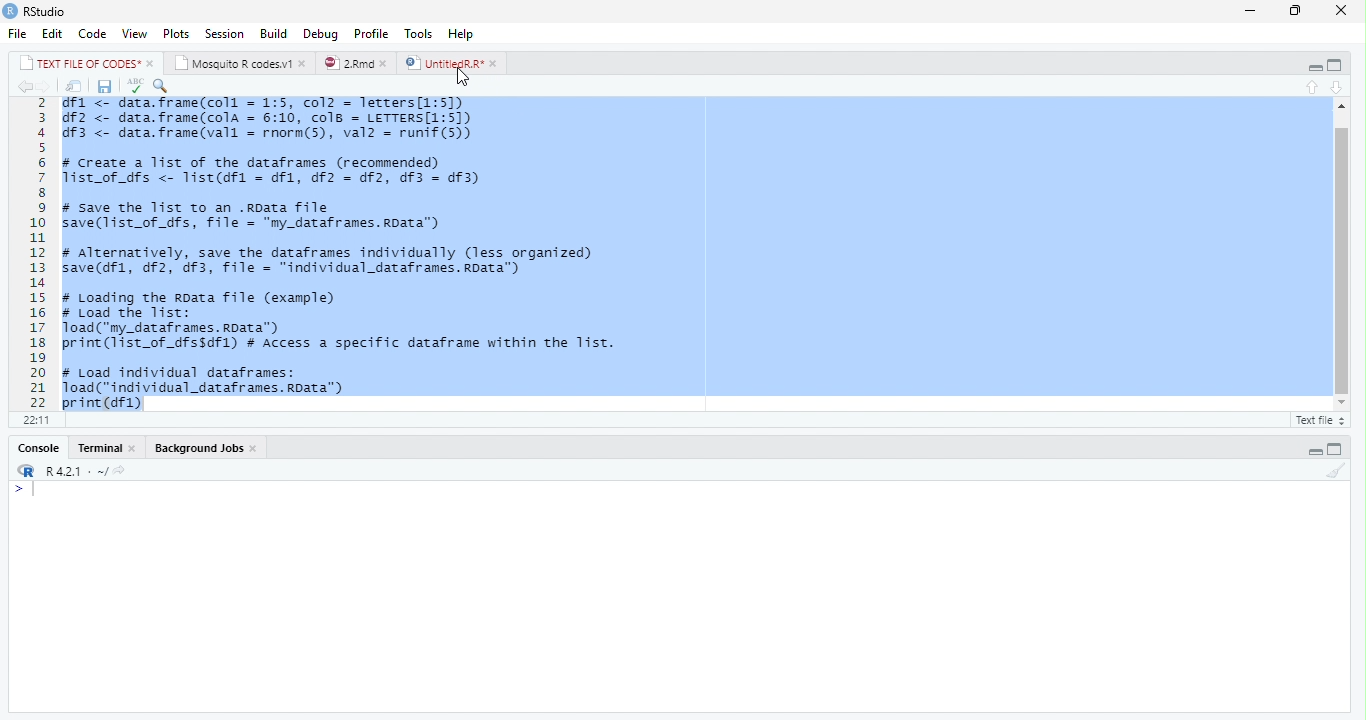 The image size is (1366, 720). I want to click on Line number, so click(35, 253).